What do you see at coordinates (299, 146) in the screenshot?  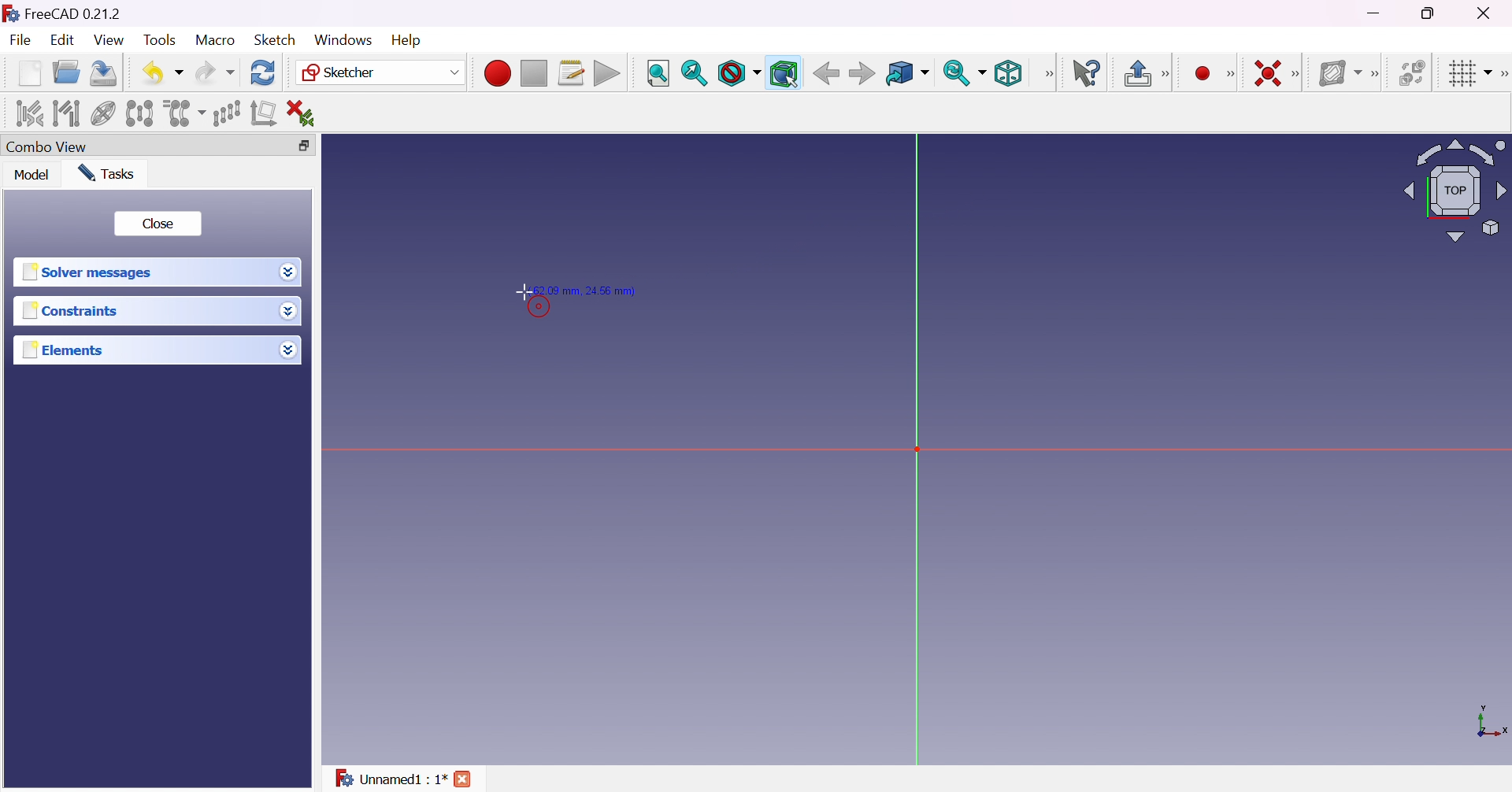 I see `Restore down` at bounding box center [299, 146].